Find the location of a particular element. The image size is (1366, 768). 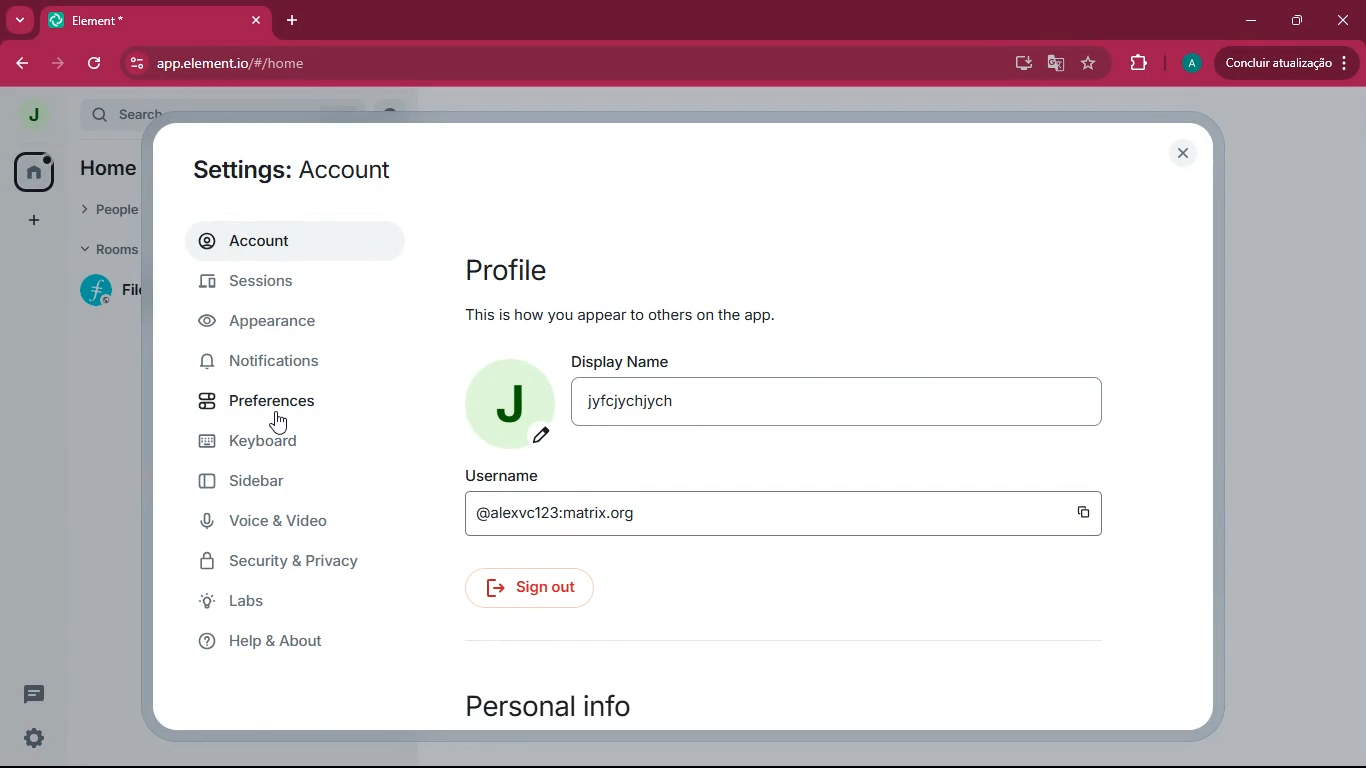

Help & About is located at coordinates (288, 640).